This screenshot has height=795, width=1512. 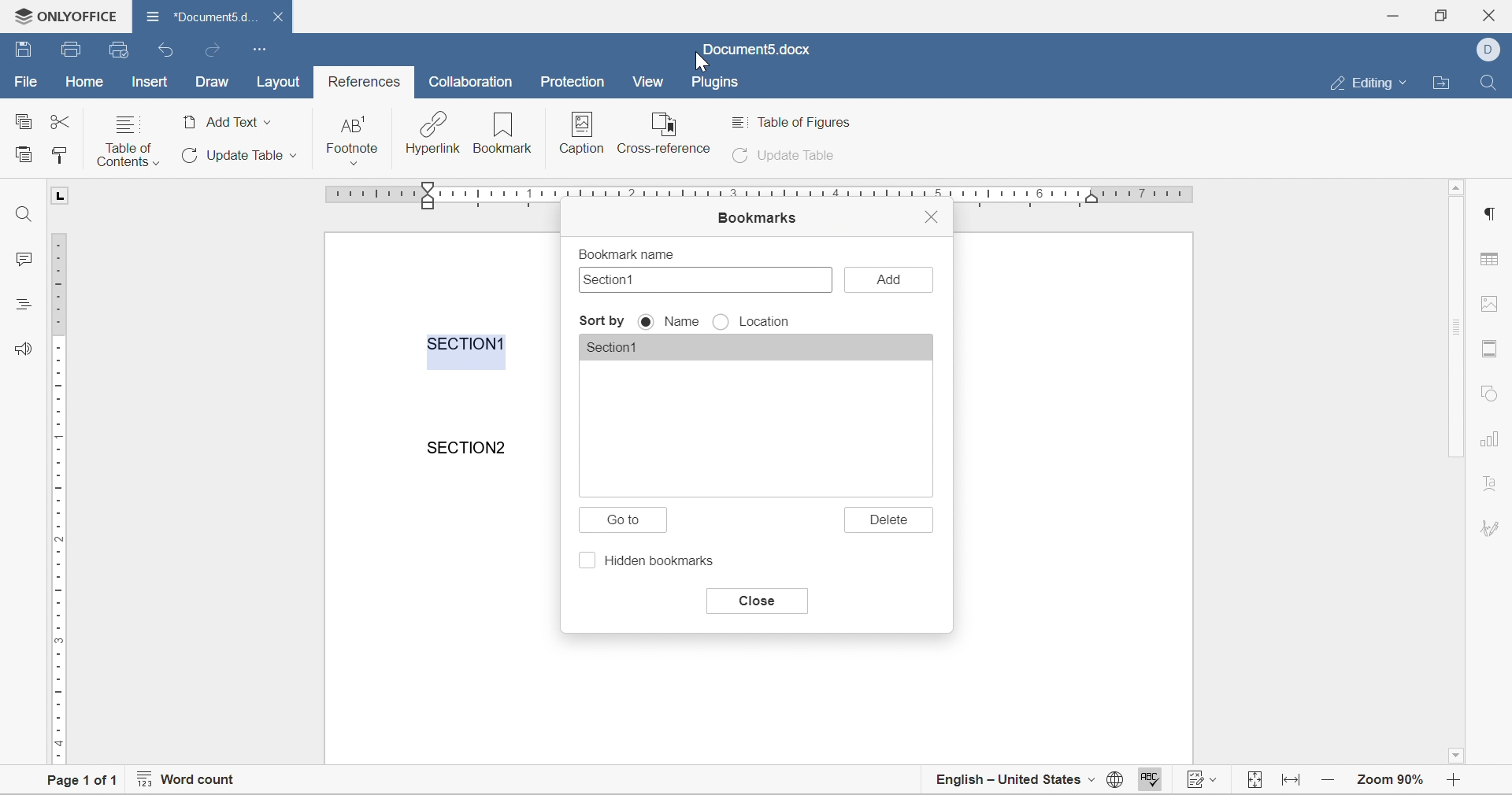 I want to click on add, so click(x=889, y=279).